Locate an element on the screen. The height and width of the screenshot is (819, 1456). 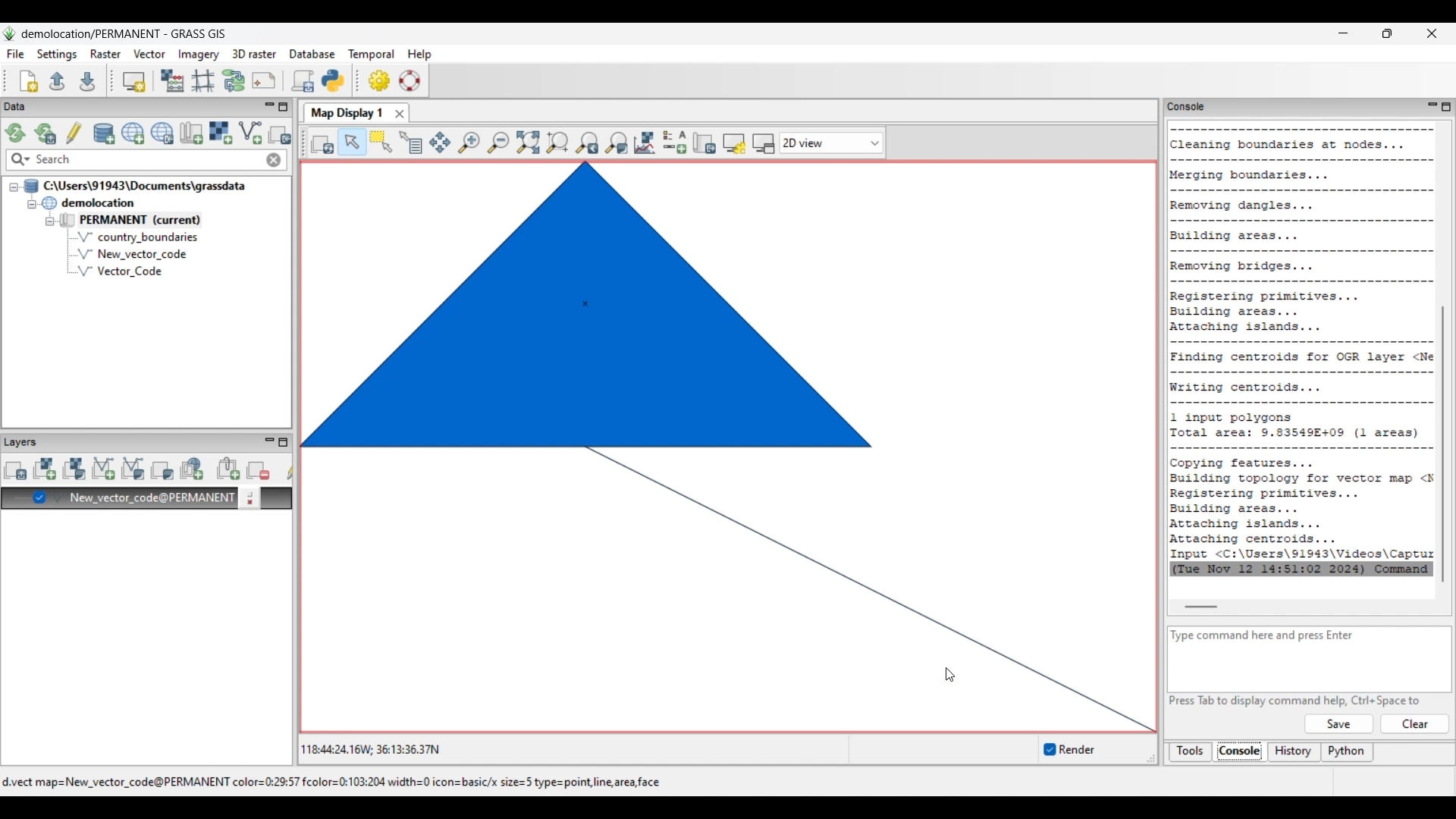
Click to choose view options is located at coordinates (831, 143).